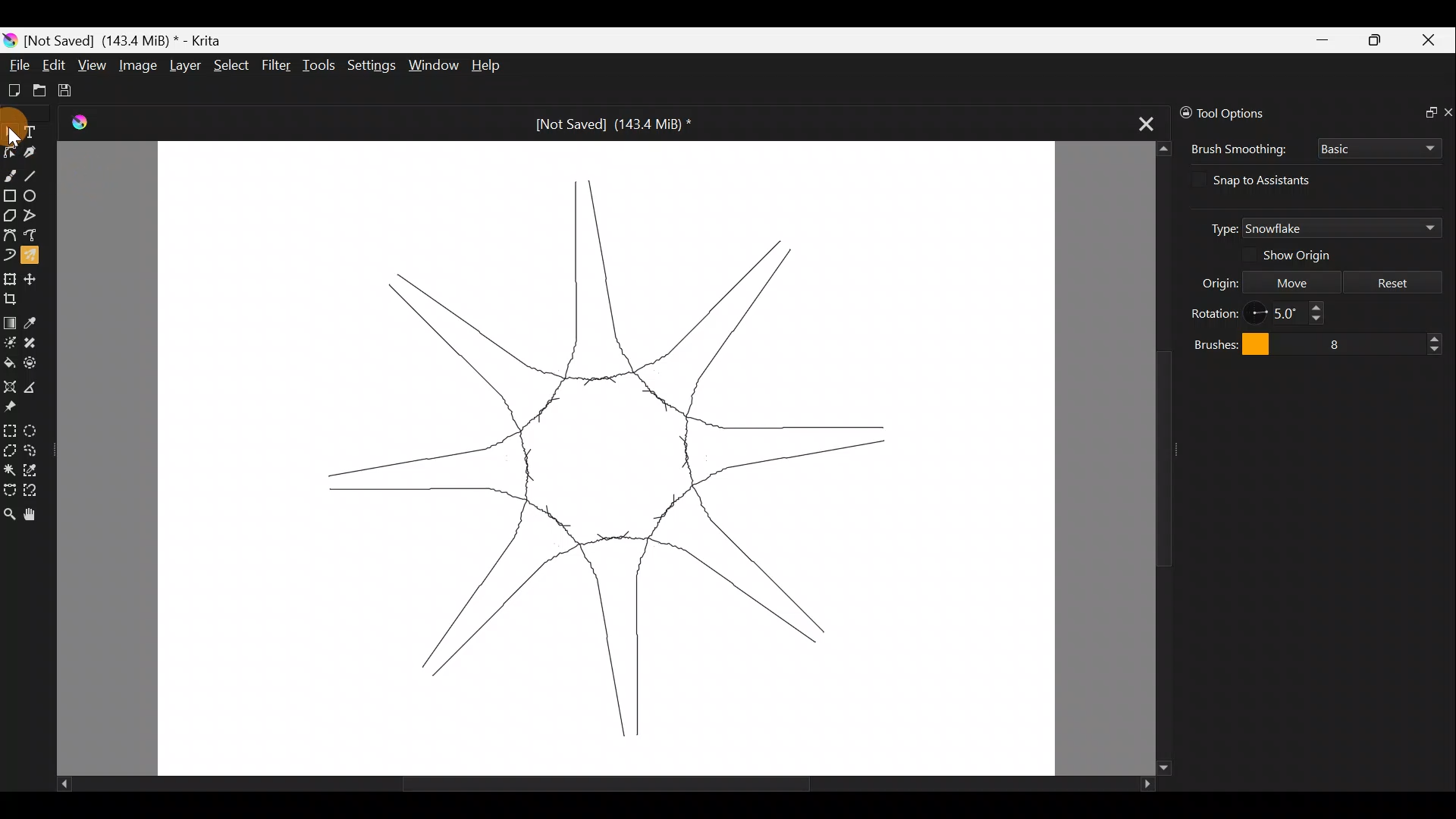 Image resolution: width=1456 pixels, height=819 pixels. I want to click on Contiguous selection tool, so click(9, 467).